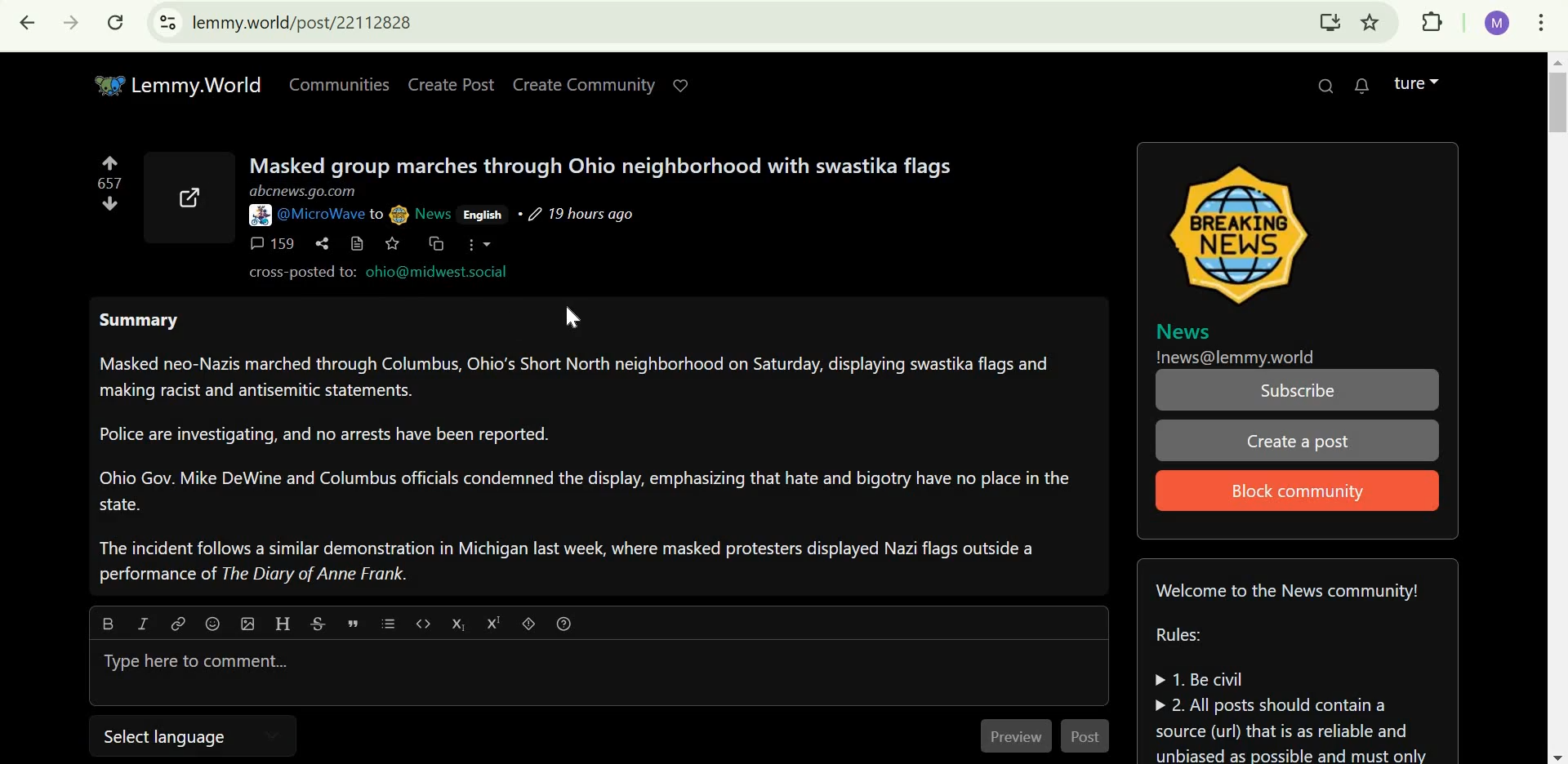 The height and width of the screenshot is (764, 1568). What do you see at coordinates (178, 623) in the screenshot?
I see `Link` at bounding box center [178, 623].